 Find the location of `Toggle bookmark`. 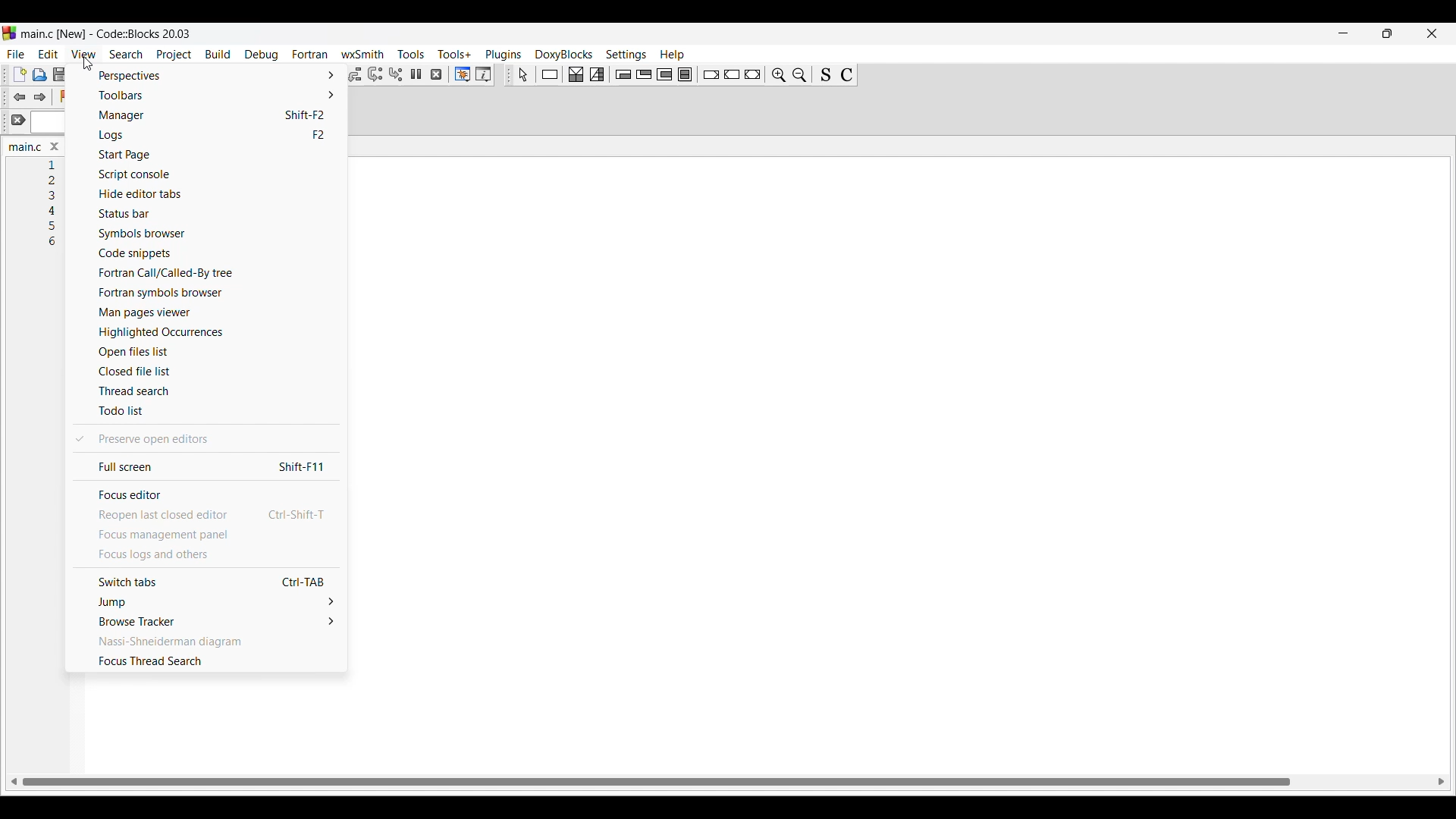

Toggle bookmark is located at coordinates (65, 96).